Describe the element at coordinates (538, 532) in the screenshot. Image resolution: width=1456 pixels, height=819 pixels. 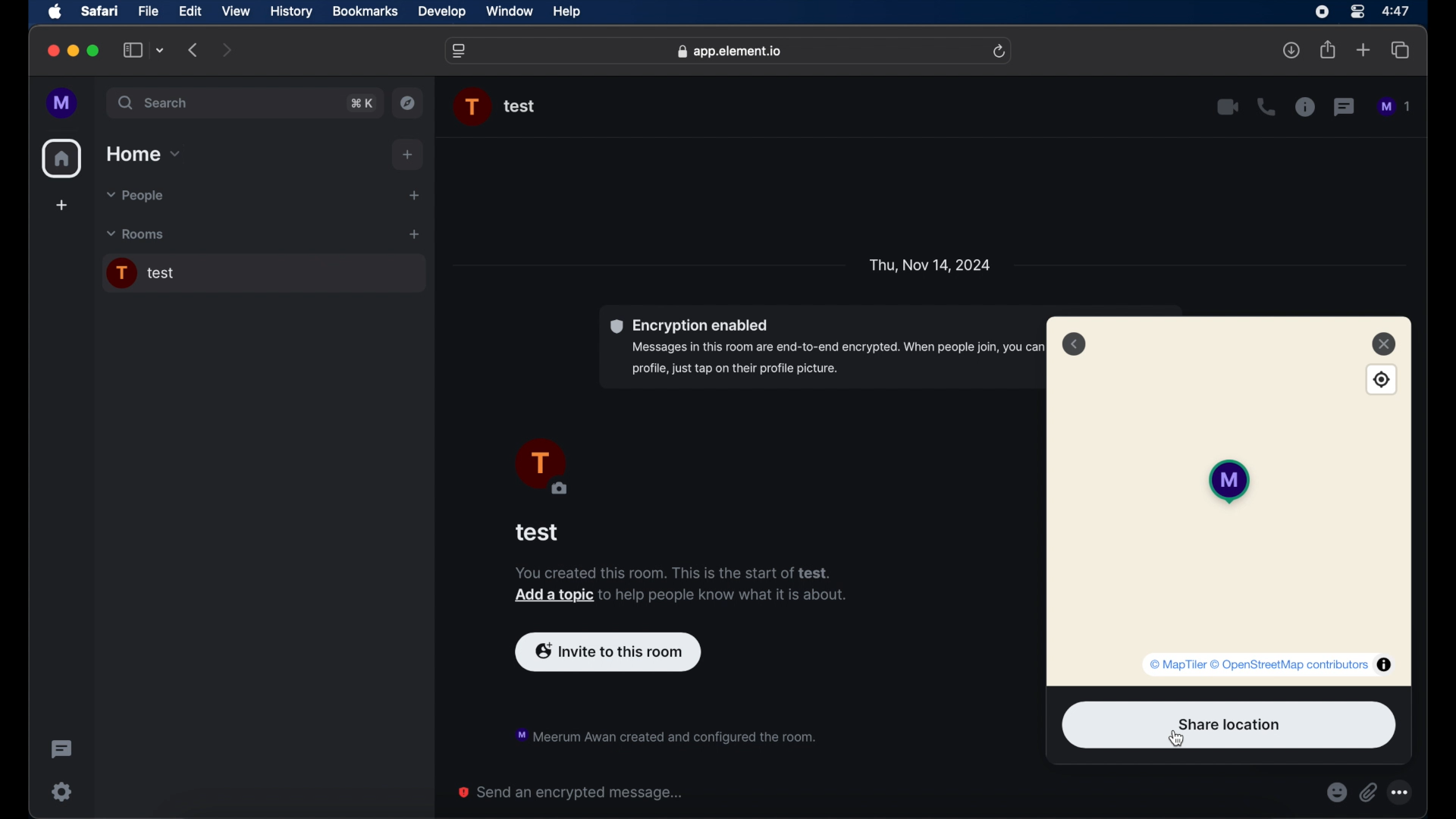
I see `test` at that location.